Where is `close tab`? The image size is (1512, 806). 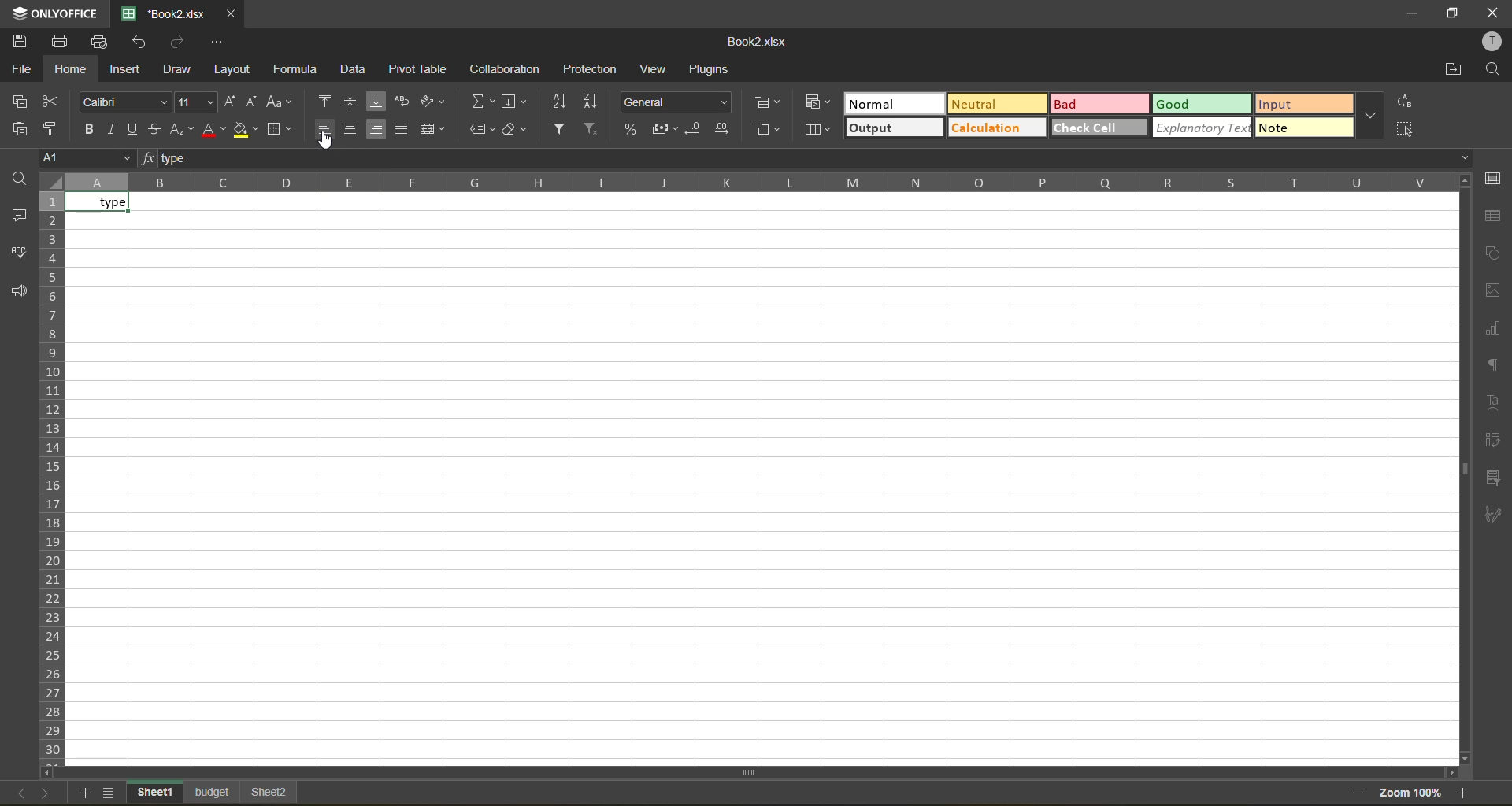
close tab is located at coordinates (232, 12).